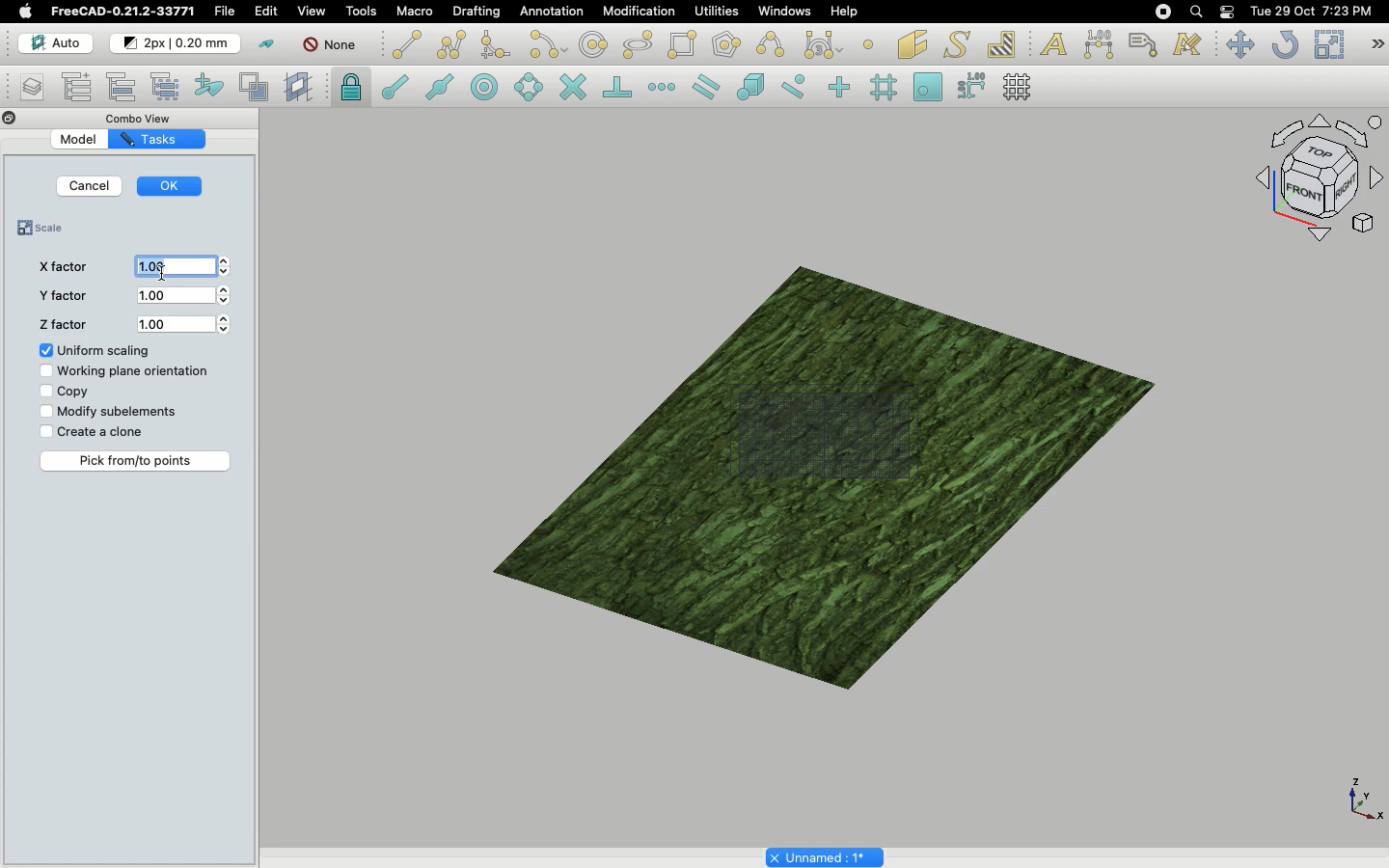 This screenshot has height=868, width=1389. I want to click on Navigation styles, so click(1315, 181).